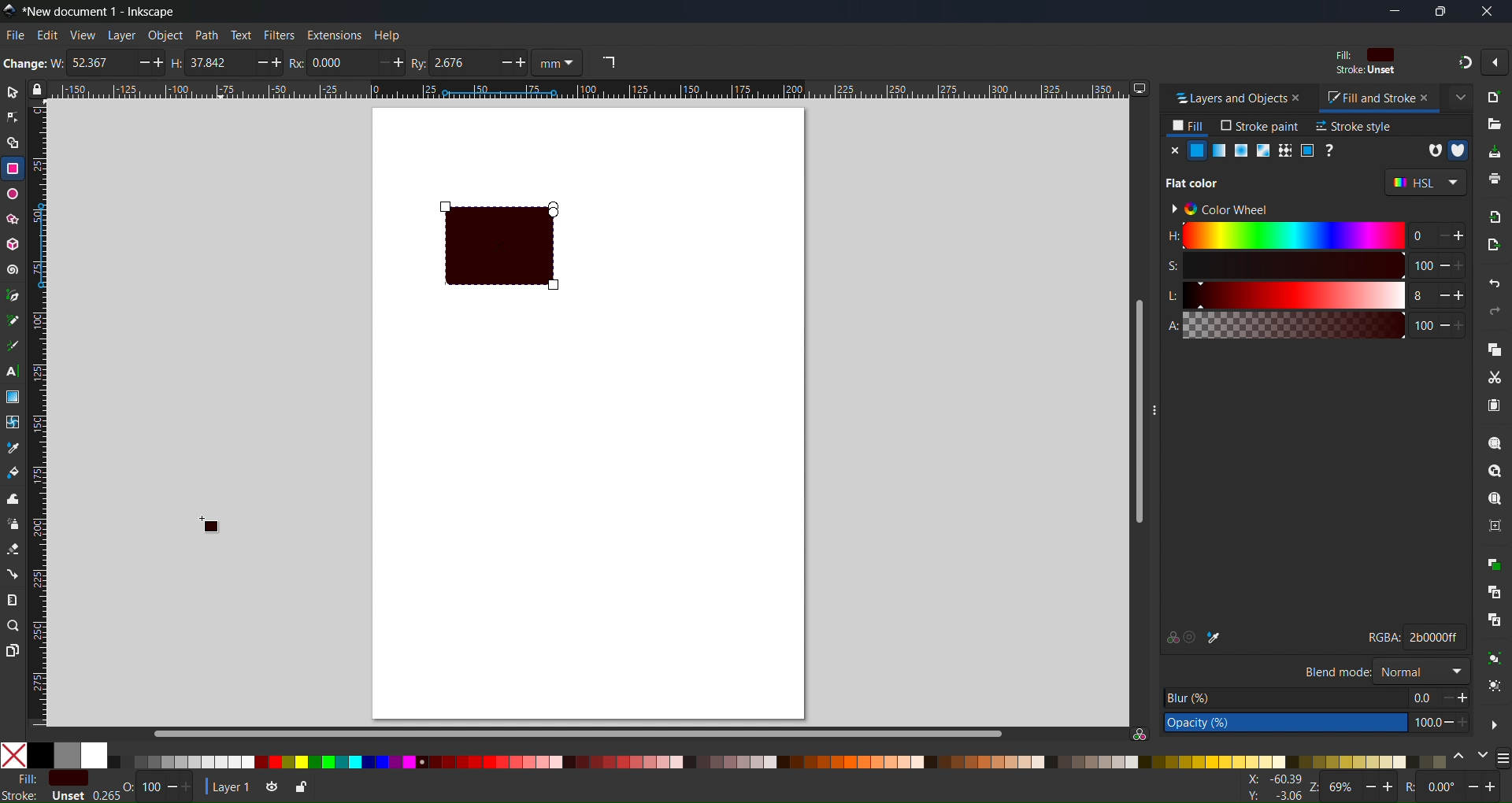  Describe the element at coordinates (1458, 150) in the screenshot. I see `non zero` at that location.